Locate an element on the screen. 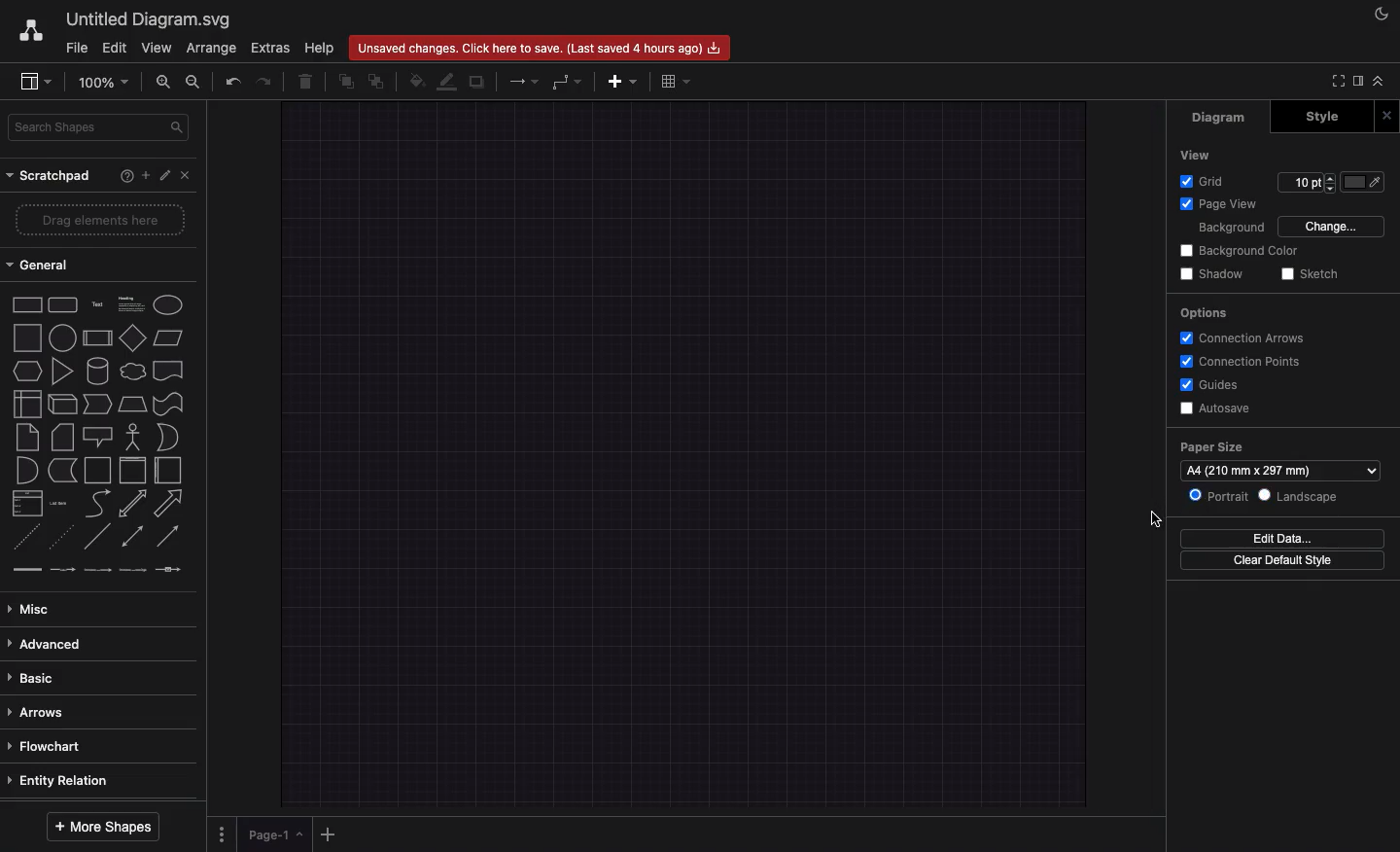  Landscape is located at coordinates (689, 456).